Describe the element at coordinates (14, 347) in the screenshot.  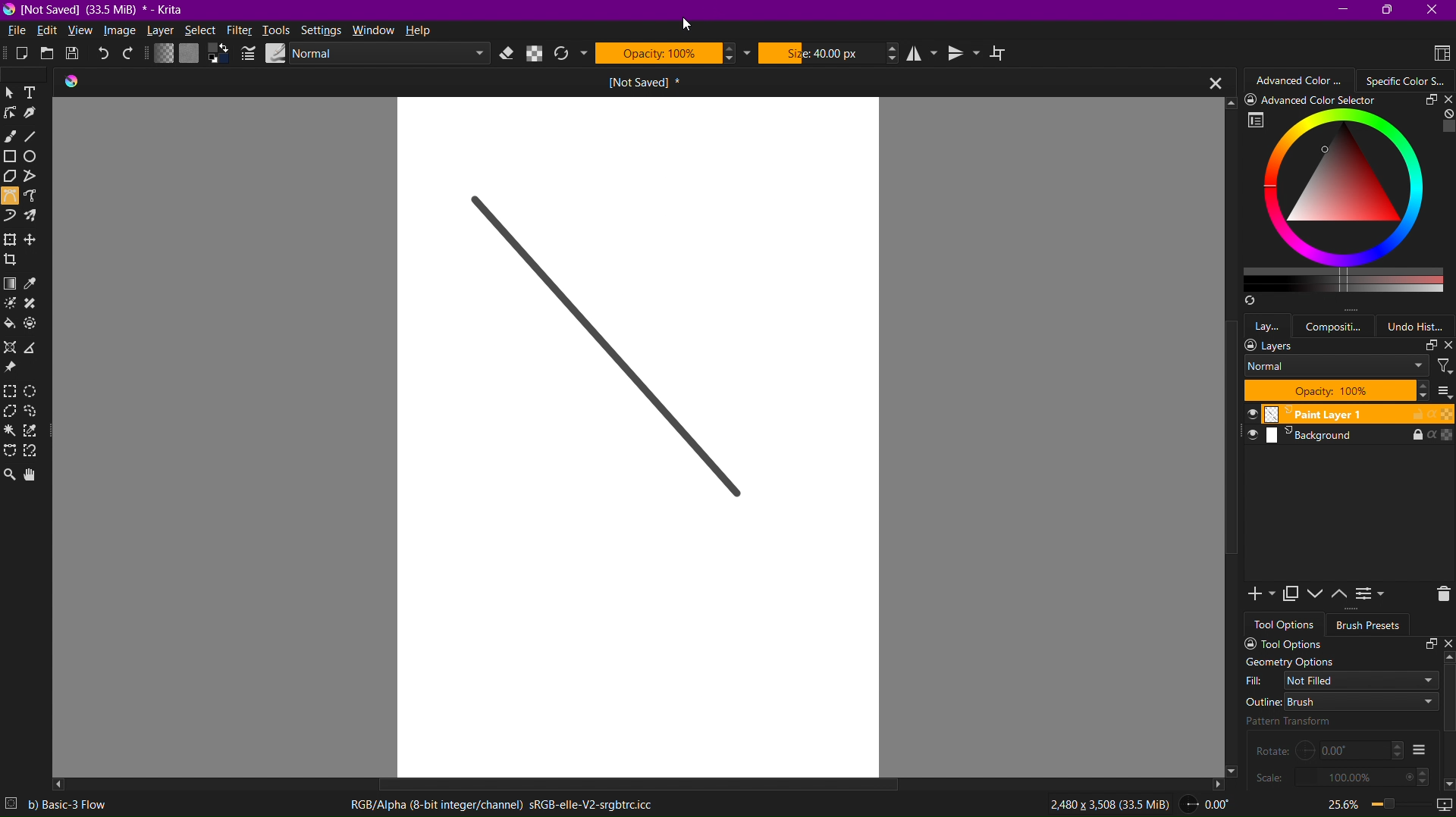
I see `Assistant Tool` at that location.